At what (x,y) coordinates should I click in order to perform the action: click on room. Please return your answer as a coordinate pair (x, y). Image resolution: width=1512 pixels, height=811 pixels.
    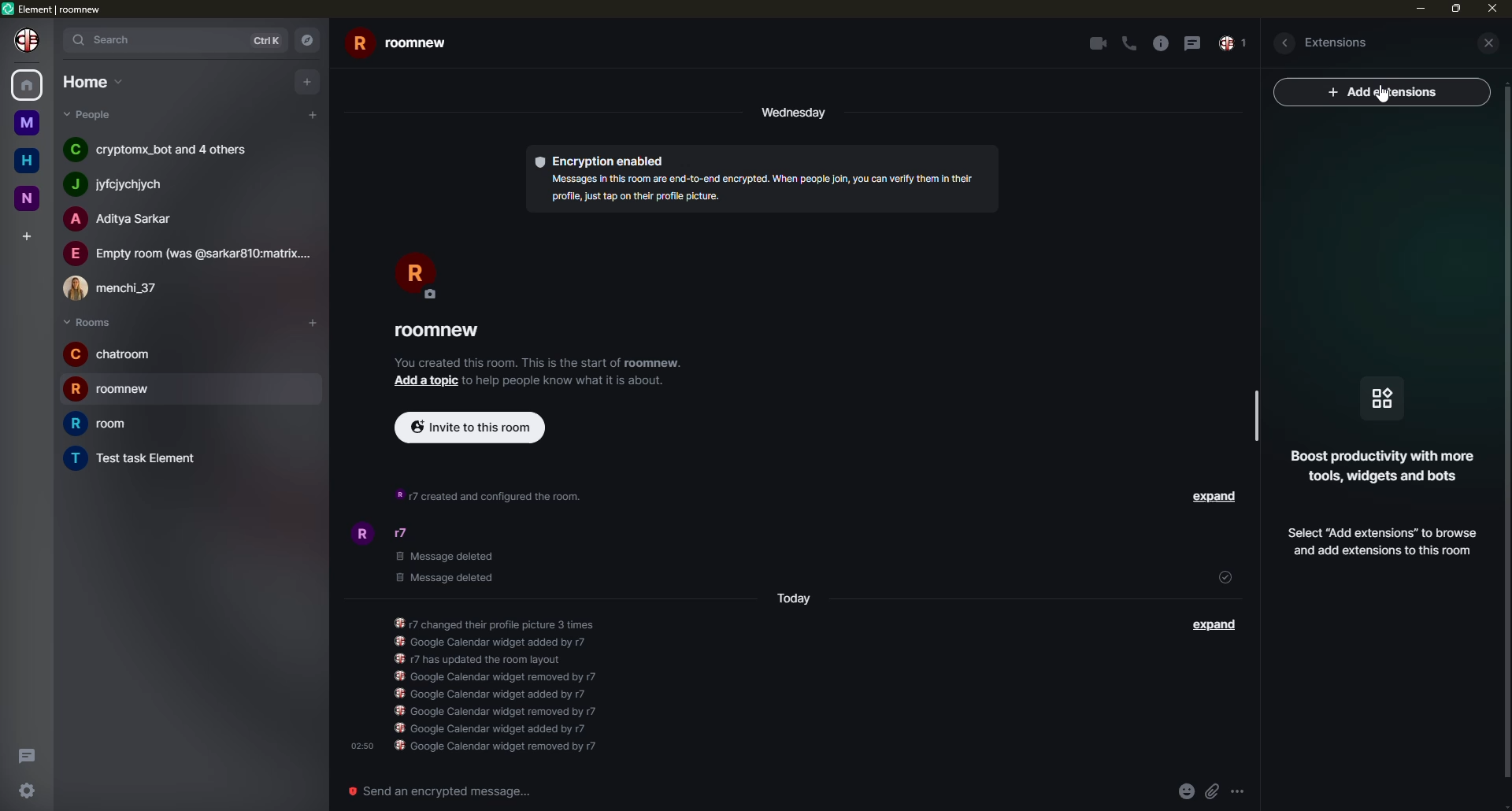
    Looking at the image, I should click on (28, 124).